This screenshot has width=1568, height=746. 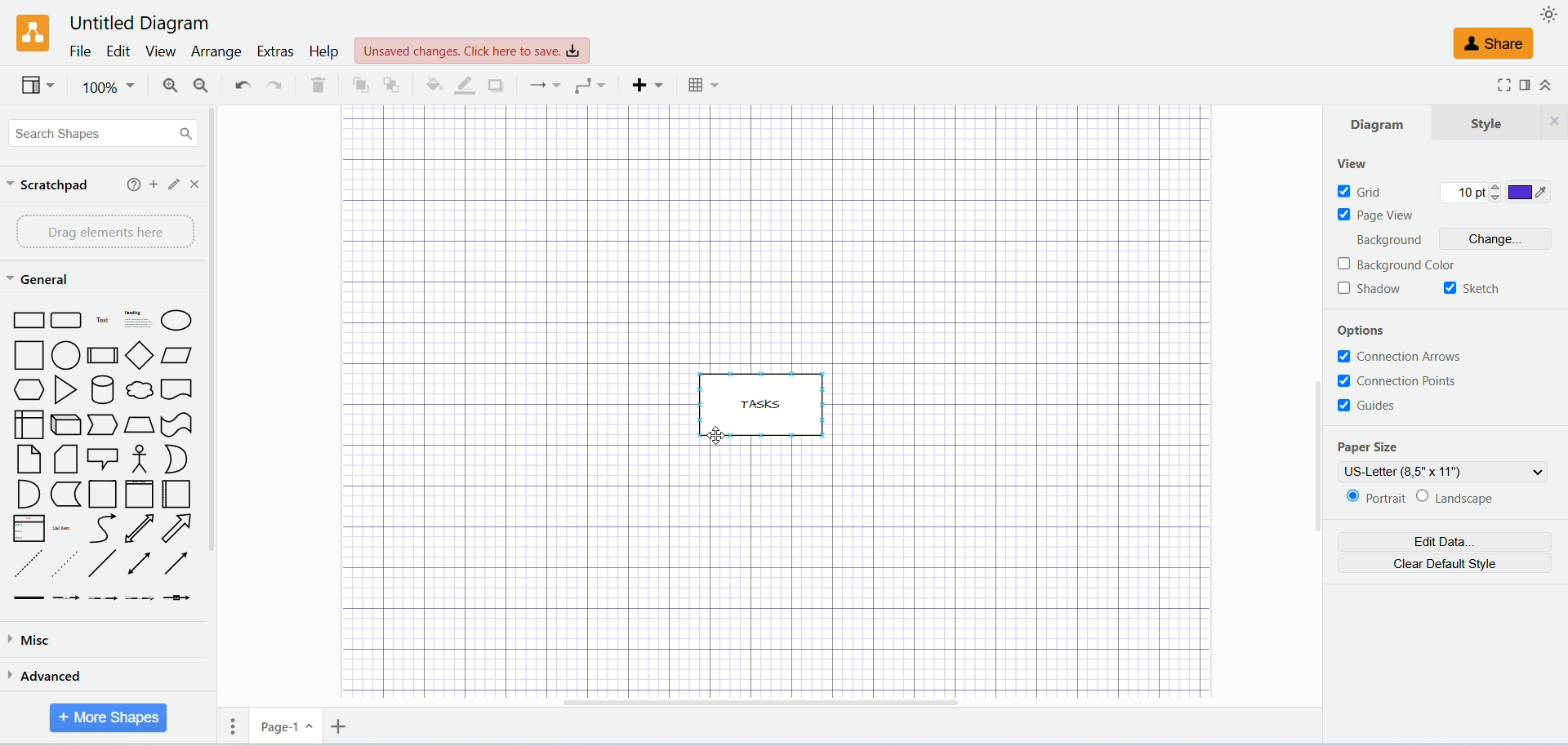 I want to click on Arrow, so click(x=177, y=528).